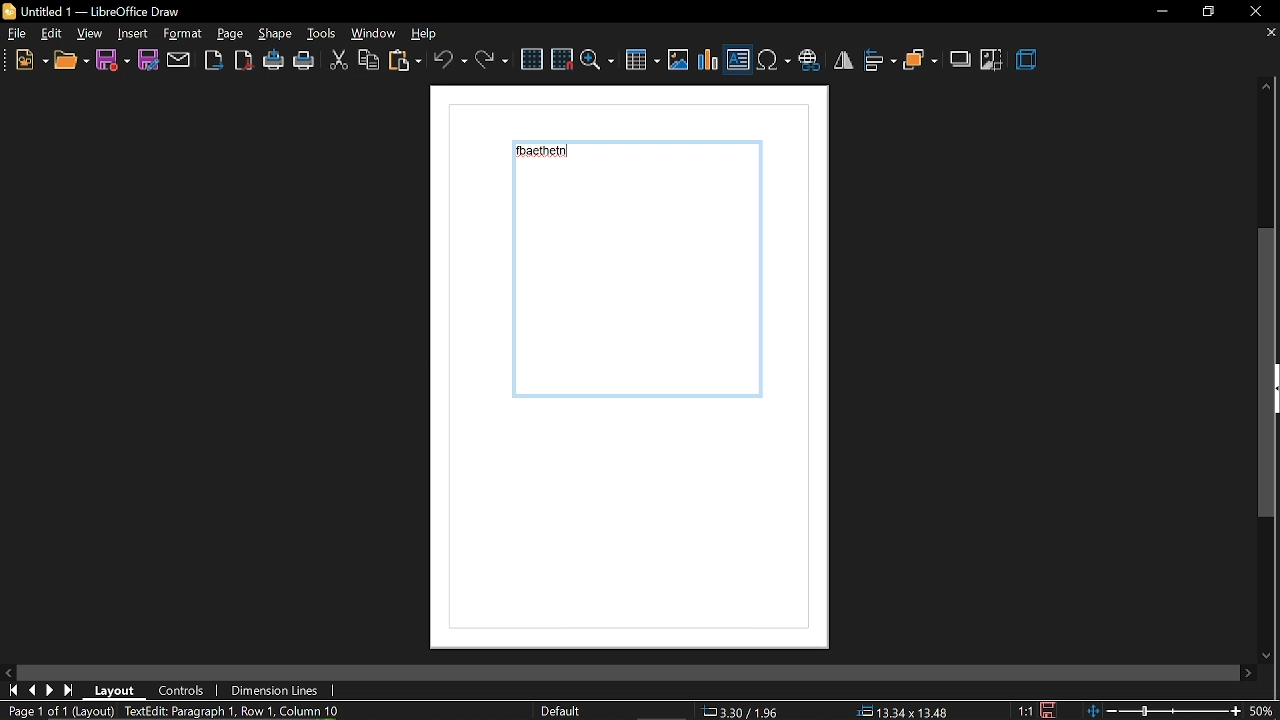 This screenshot has width=1280, height=720. I want to click on arrange, so click(921, 62).